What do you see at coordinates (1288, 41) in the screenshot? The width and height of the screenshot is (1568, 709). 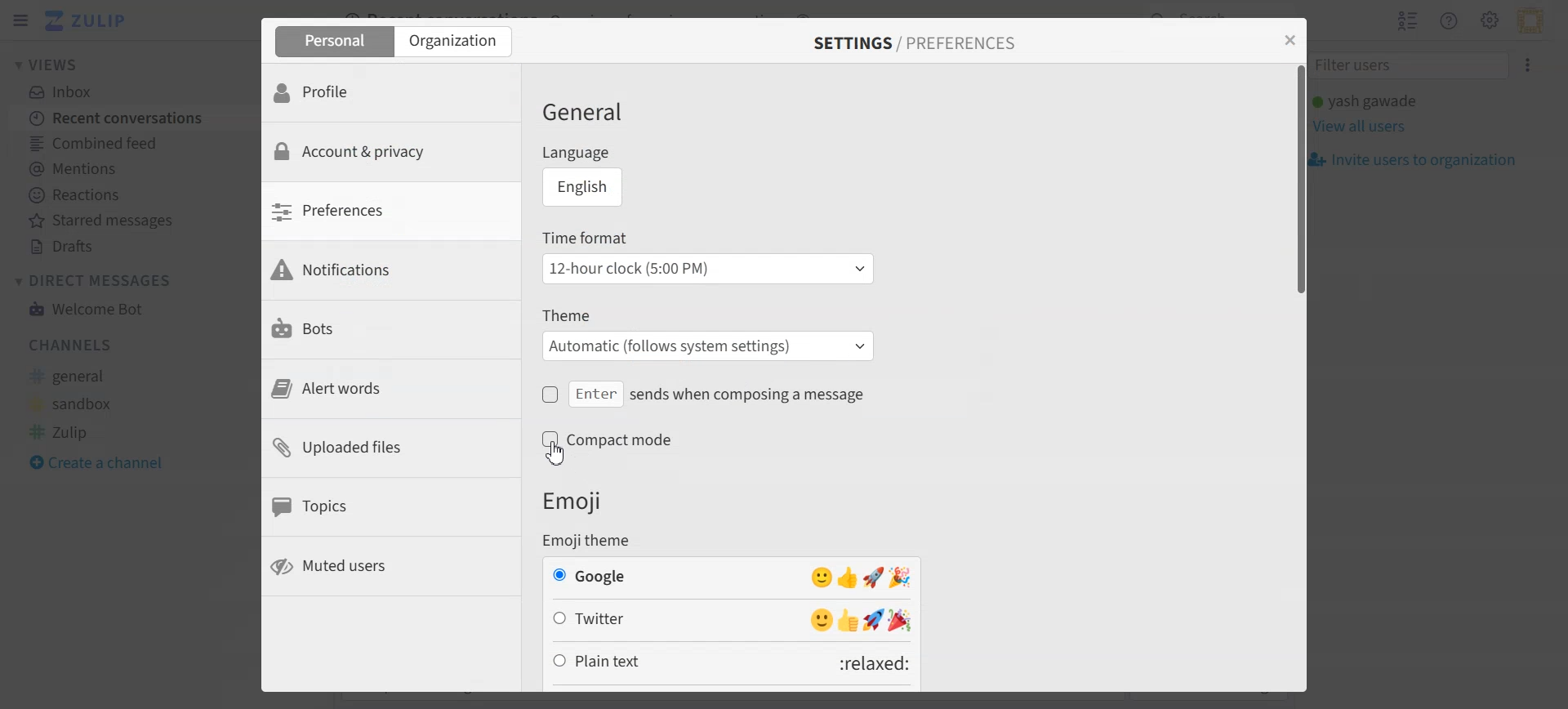 I see `Close` at bounding box center [1288, 41].